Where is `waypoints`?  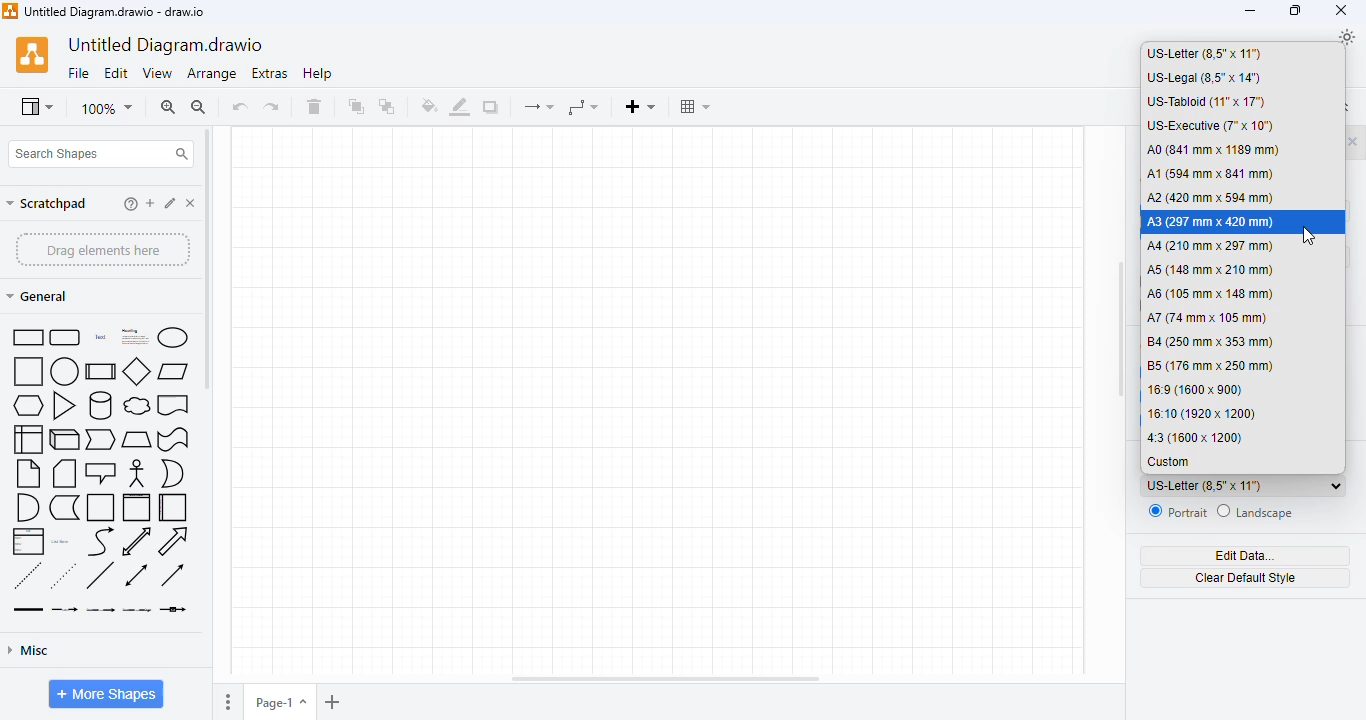 waypoints is located at coordinates (582, 107).